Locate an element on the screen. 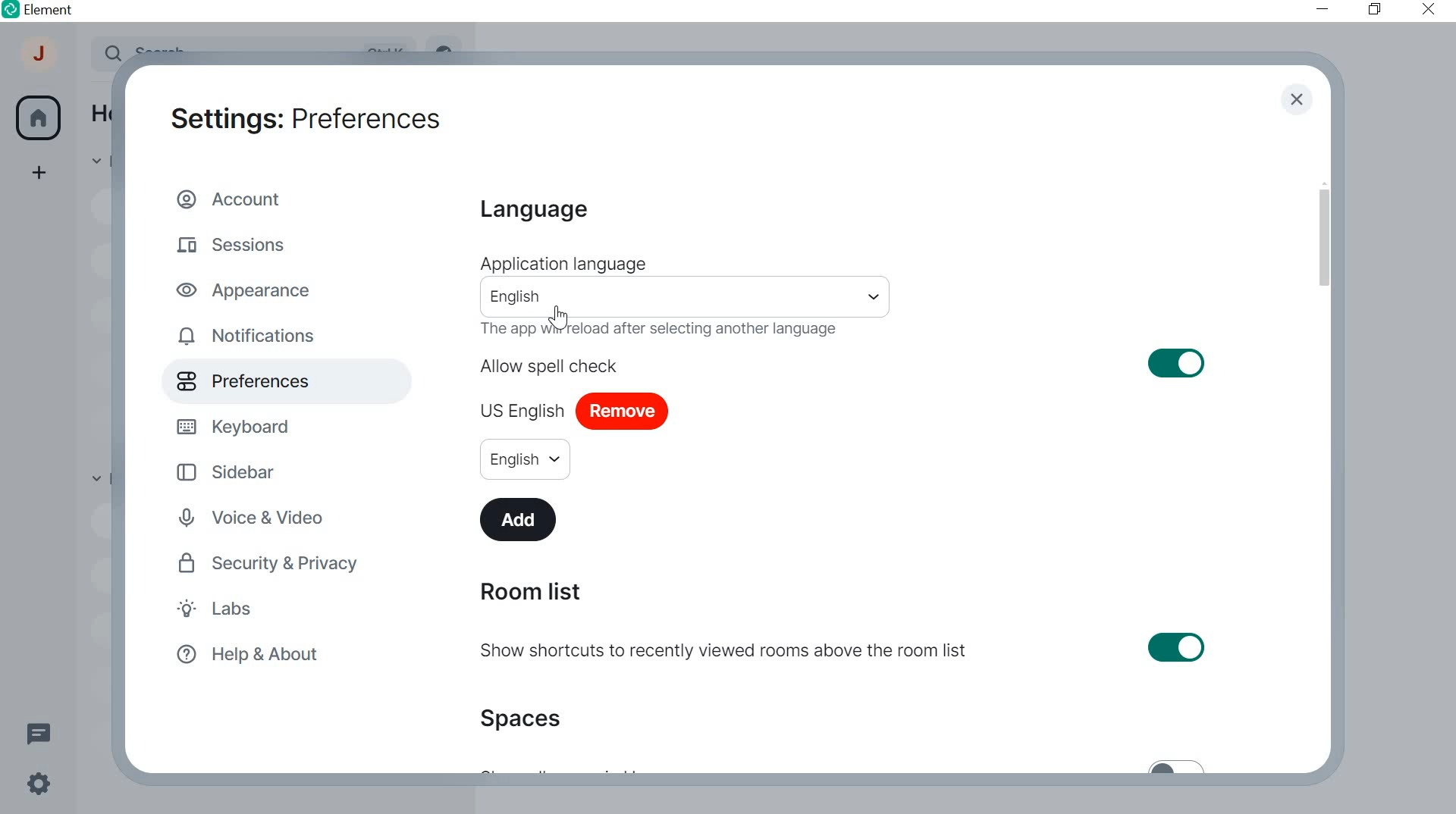 The image size is (1456, 814). This app will reload after selecting another language is located at coordinates (668, 330).